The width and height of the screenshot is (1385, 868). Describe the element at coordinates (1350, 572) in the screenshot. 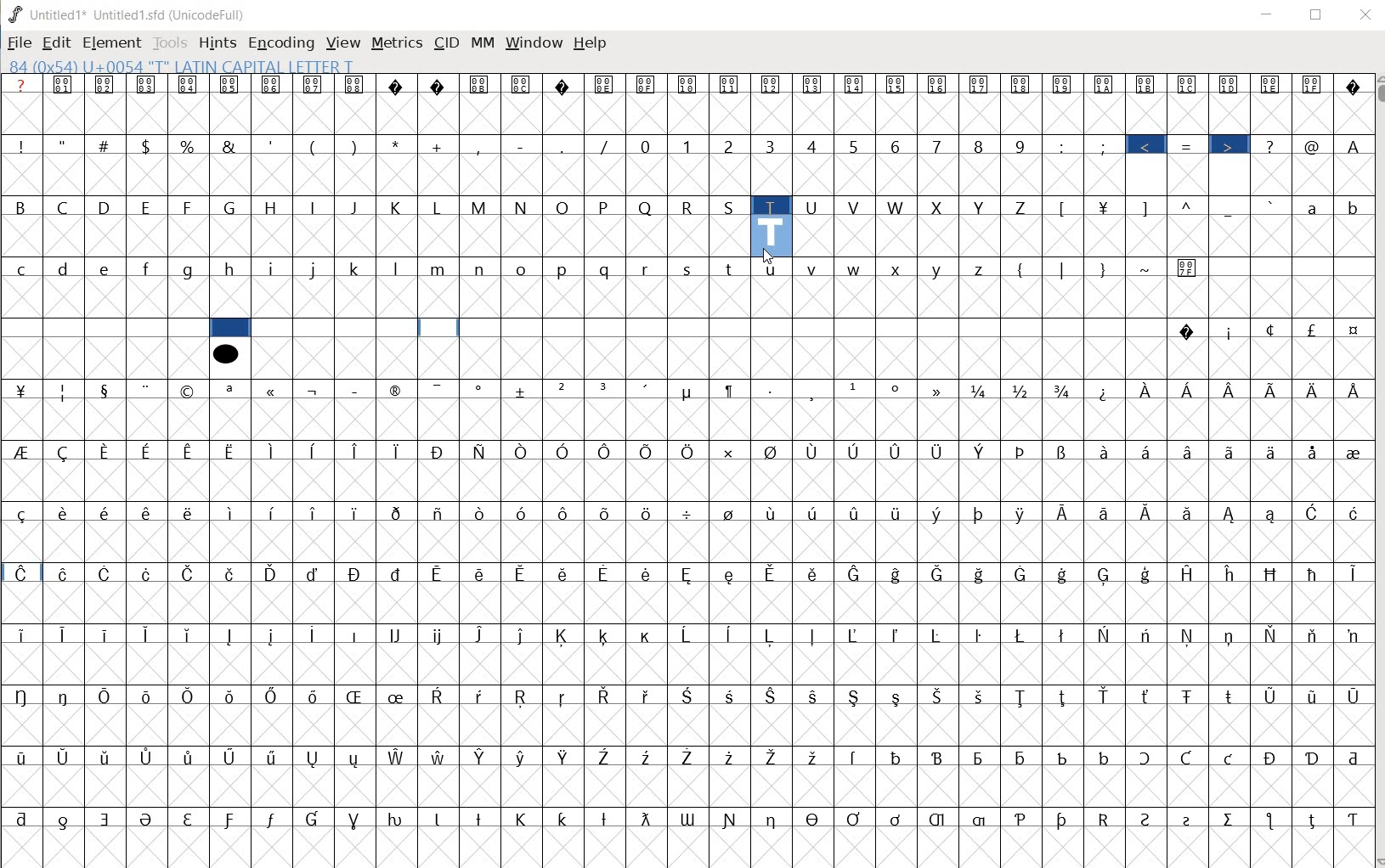

I see `Symbol` at that location.